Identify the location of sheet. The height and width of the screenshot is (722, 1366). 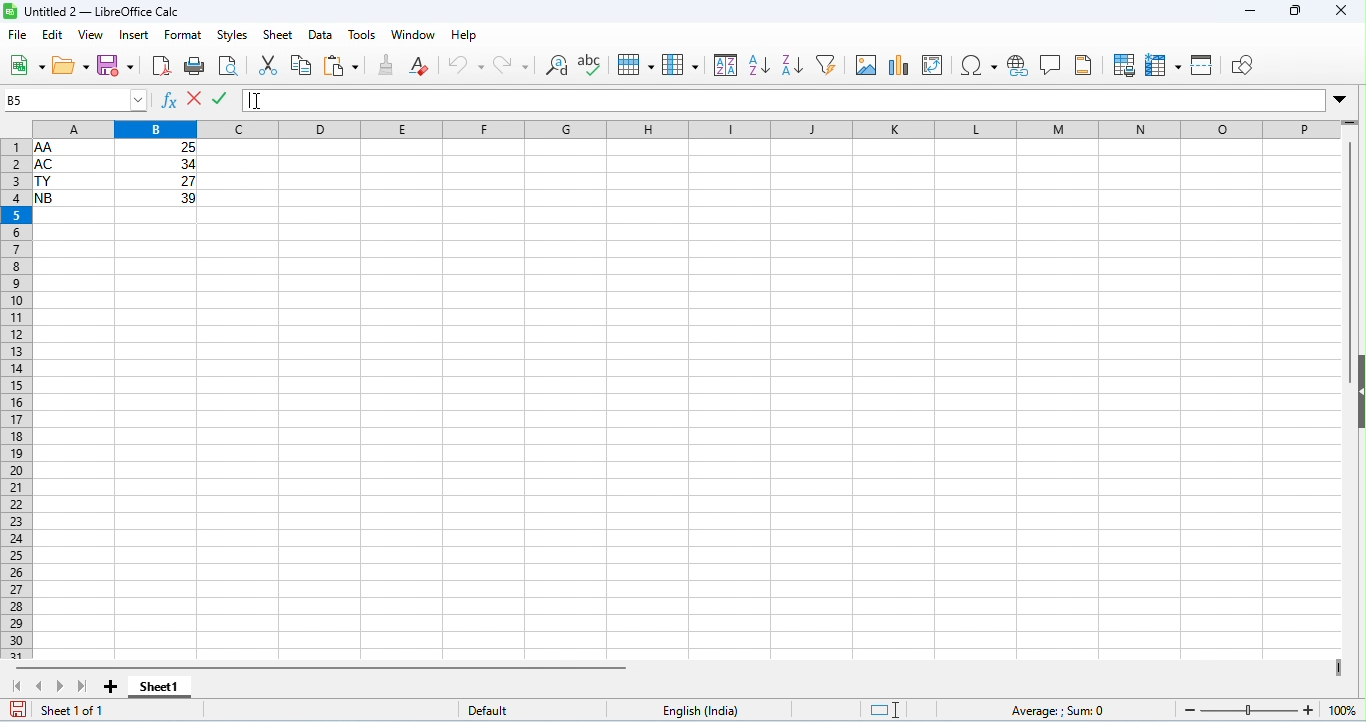
(280, 35).